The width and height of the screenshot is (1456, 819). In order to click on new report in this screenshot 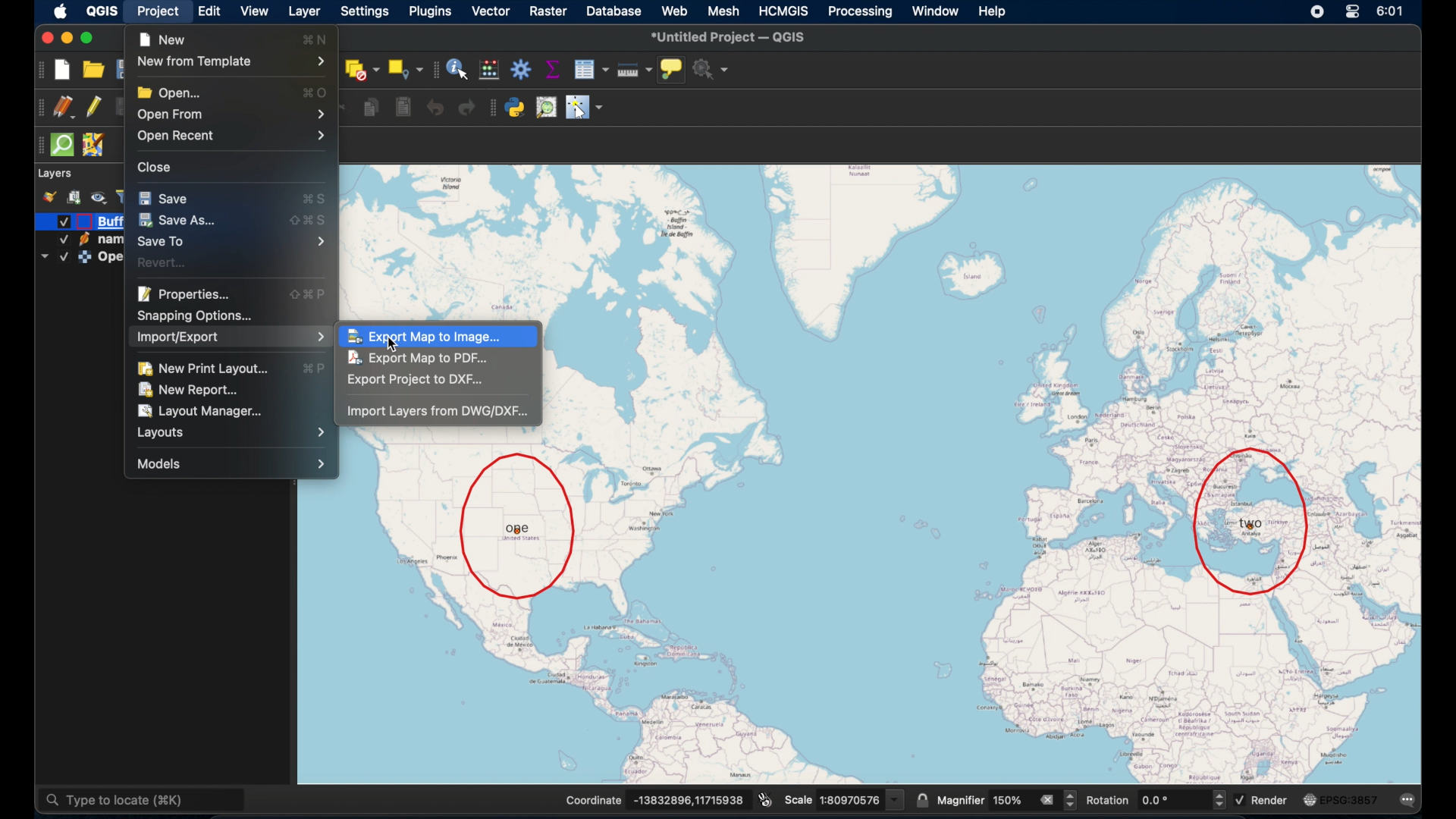, I will do `click(190, 389)`.